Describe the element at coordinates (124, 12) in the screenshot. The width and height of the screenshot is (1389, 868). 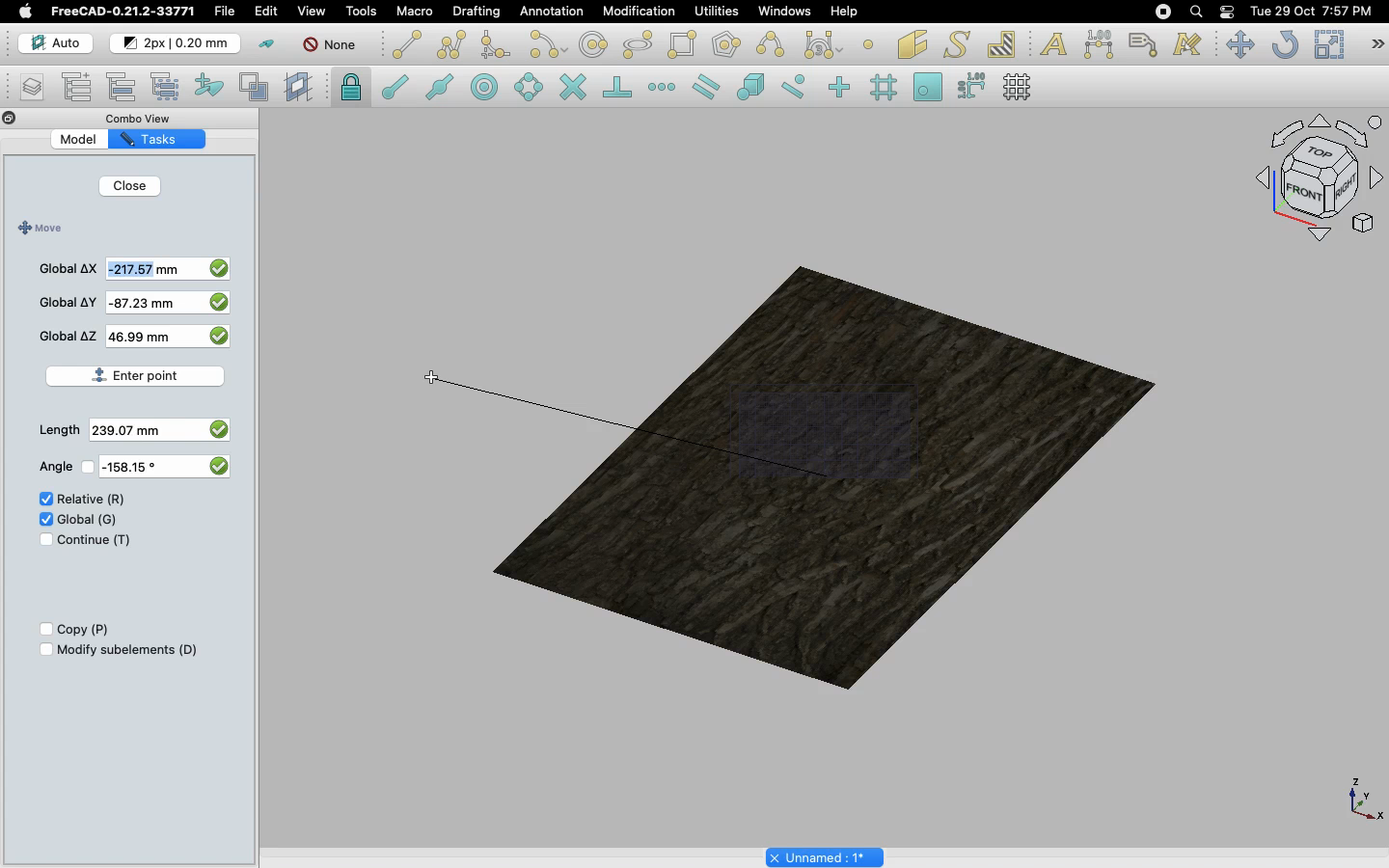
I see `FreeCAD` at that location.